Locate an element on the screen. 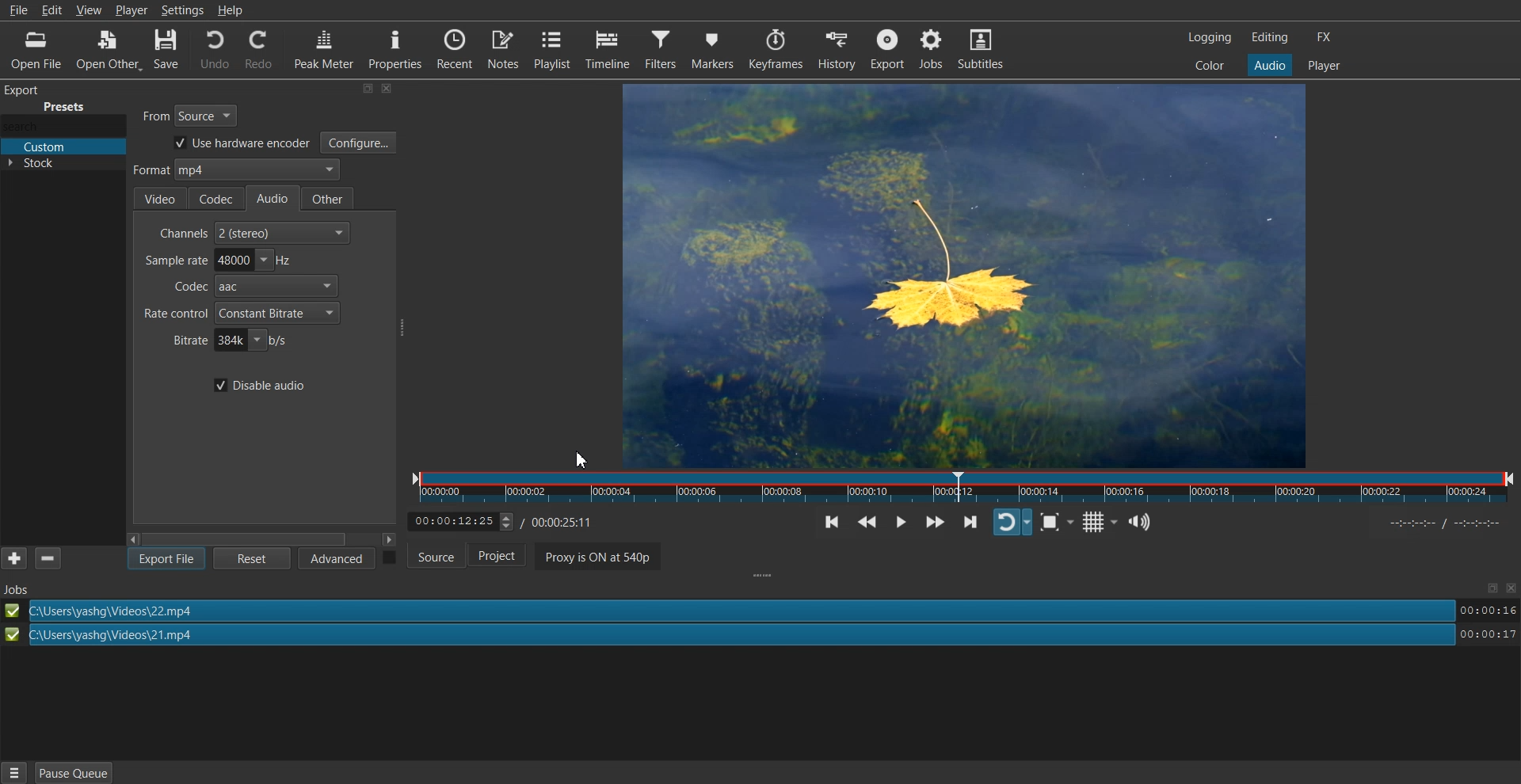  Advanced is located at coordinates (334, 560).